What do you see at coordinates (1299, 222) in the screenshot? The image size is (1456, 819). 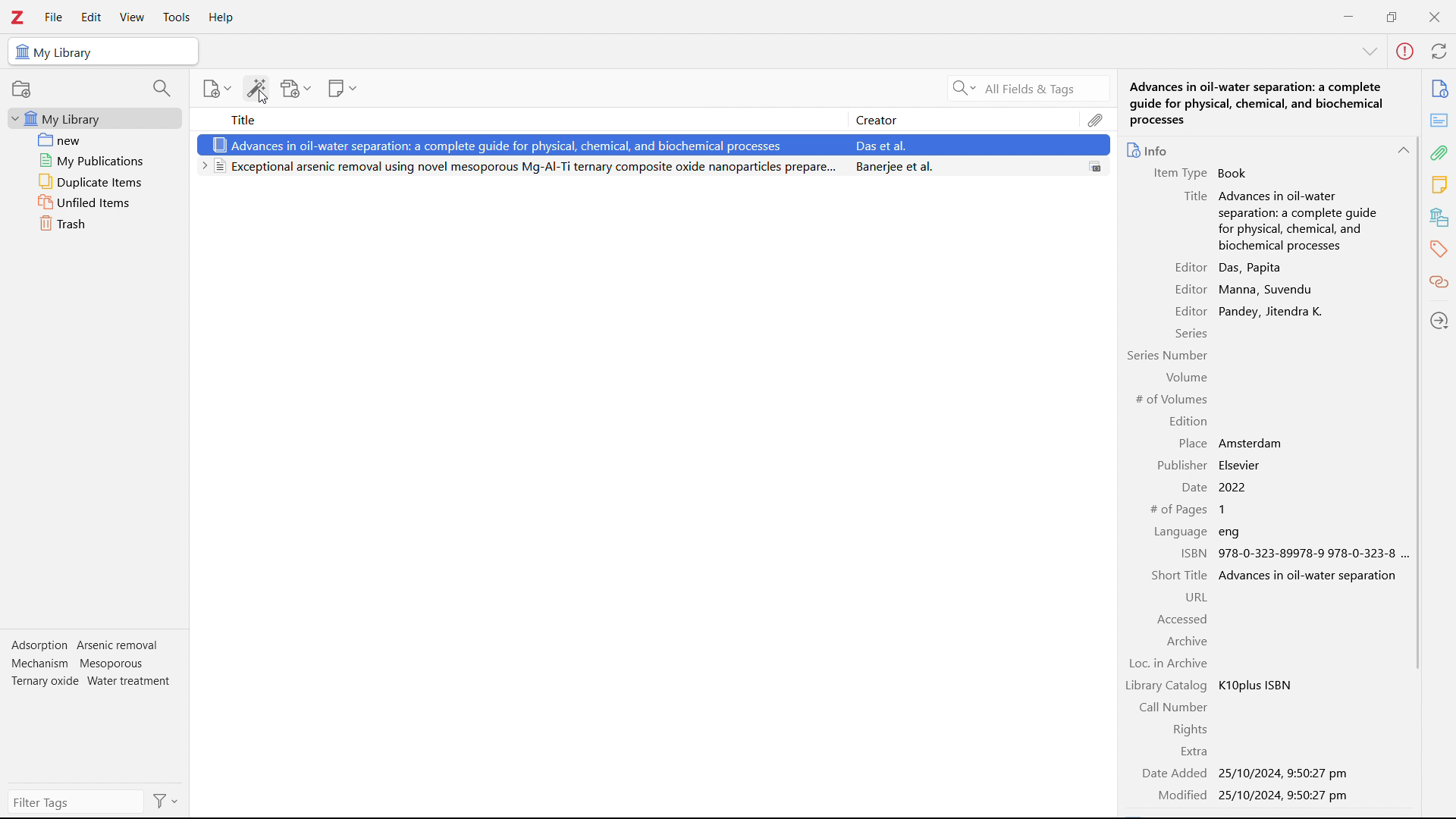 I see `Advances in oil water separations: a complete guide for physical chemical and biochemical processes` at bounding box center [1299, 222].